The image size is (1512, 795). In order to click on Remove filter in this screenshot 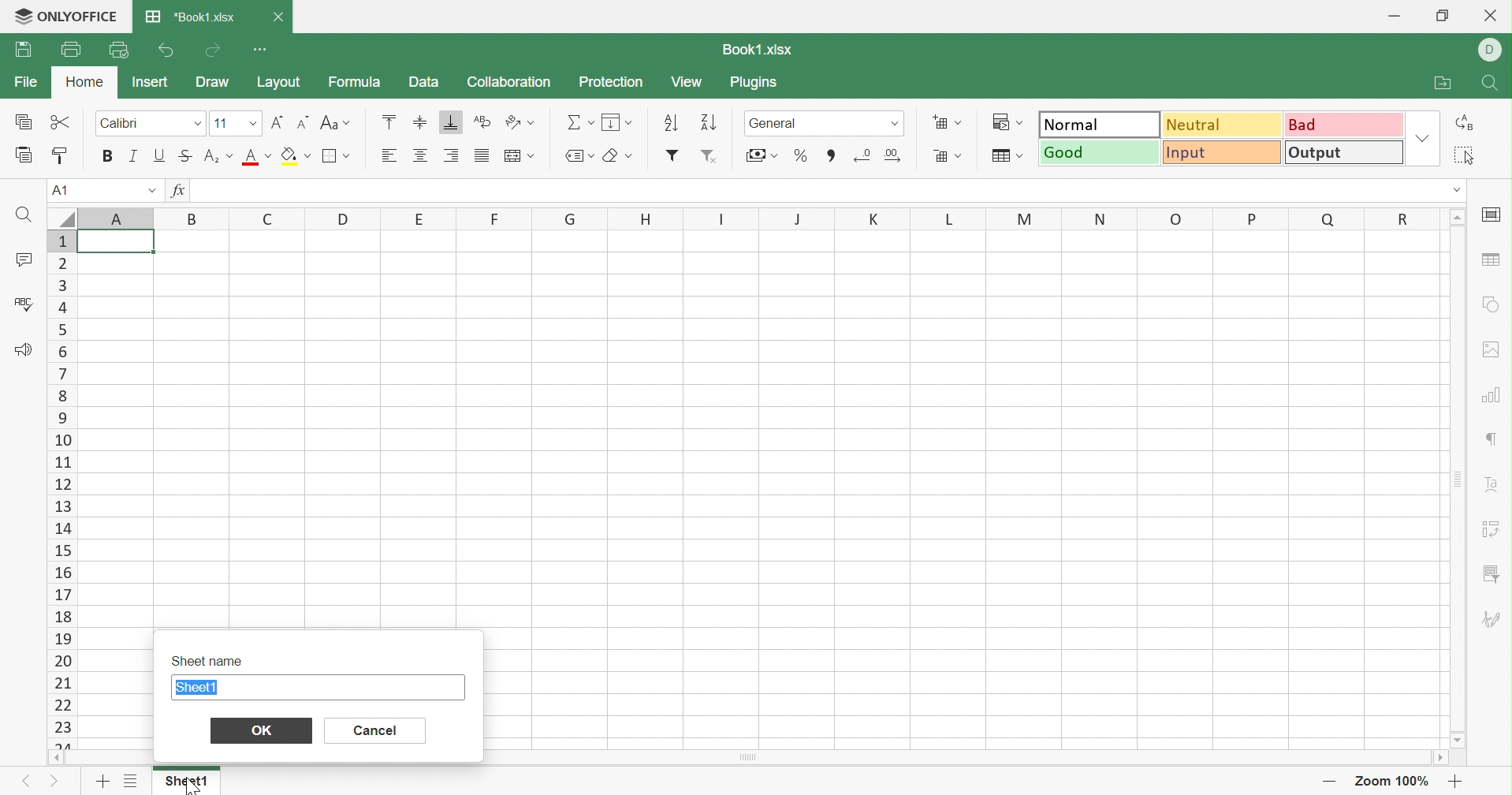, I will do `click(709, 155)`.